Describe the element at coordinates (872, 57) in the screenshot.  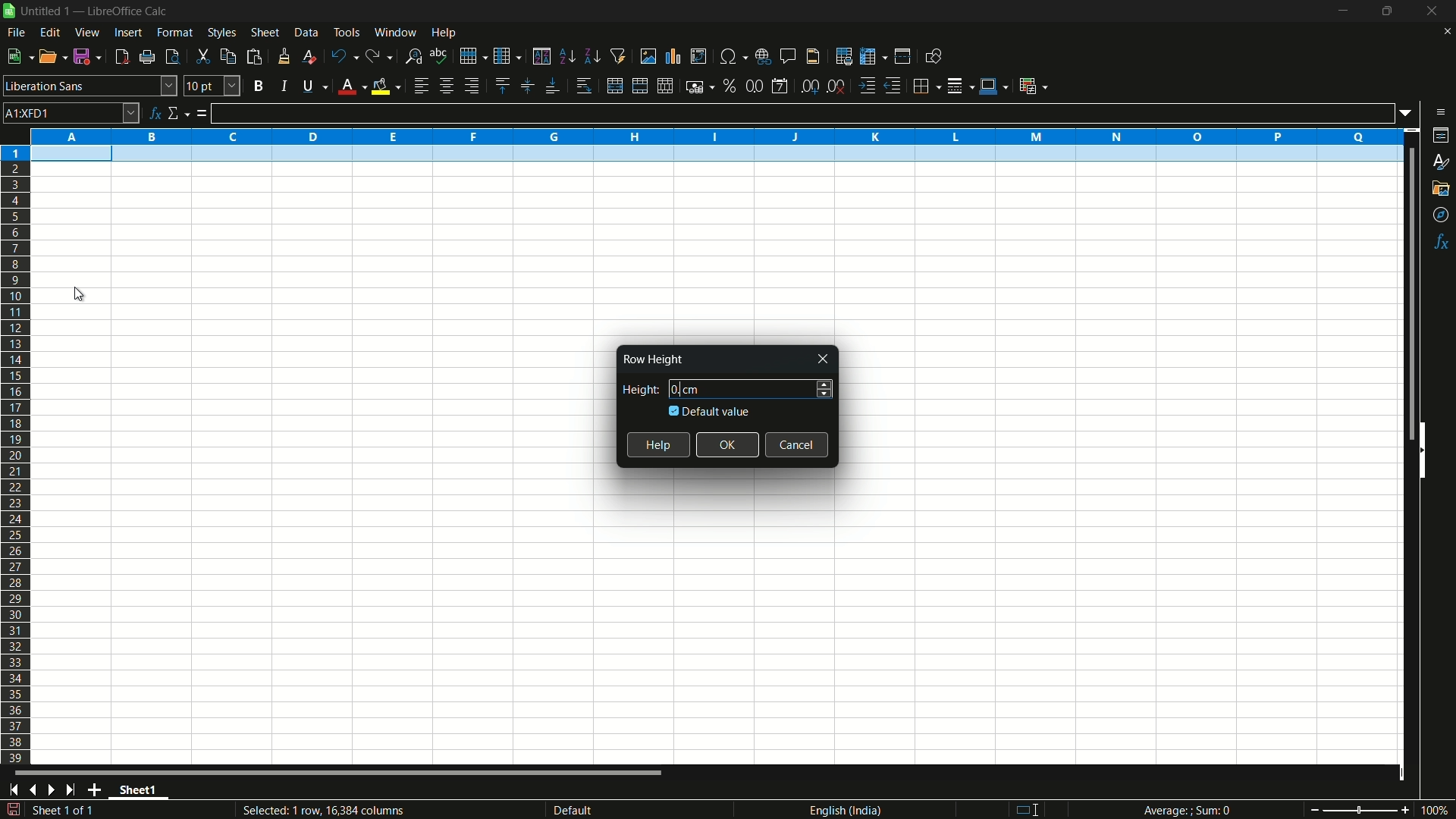
I see `freeze rows and columns` at that location.